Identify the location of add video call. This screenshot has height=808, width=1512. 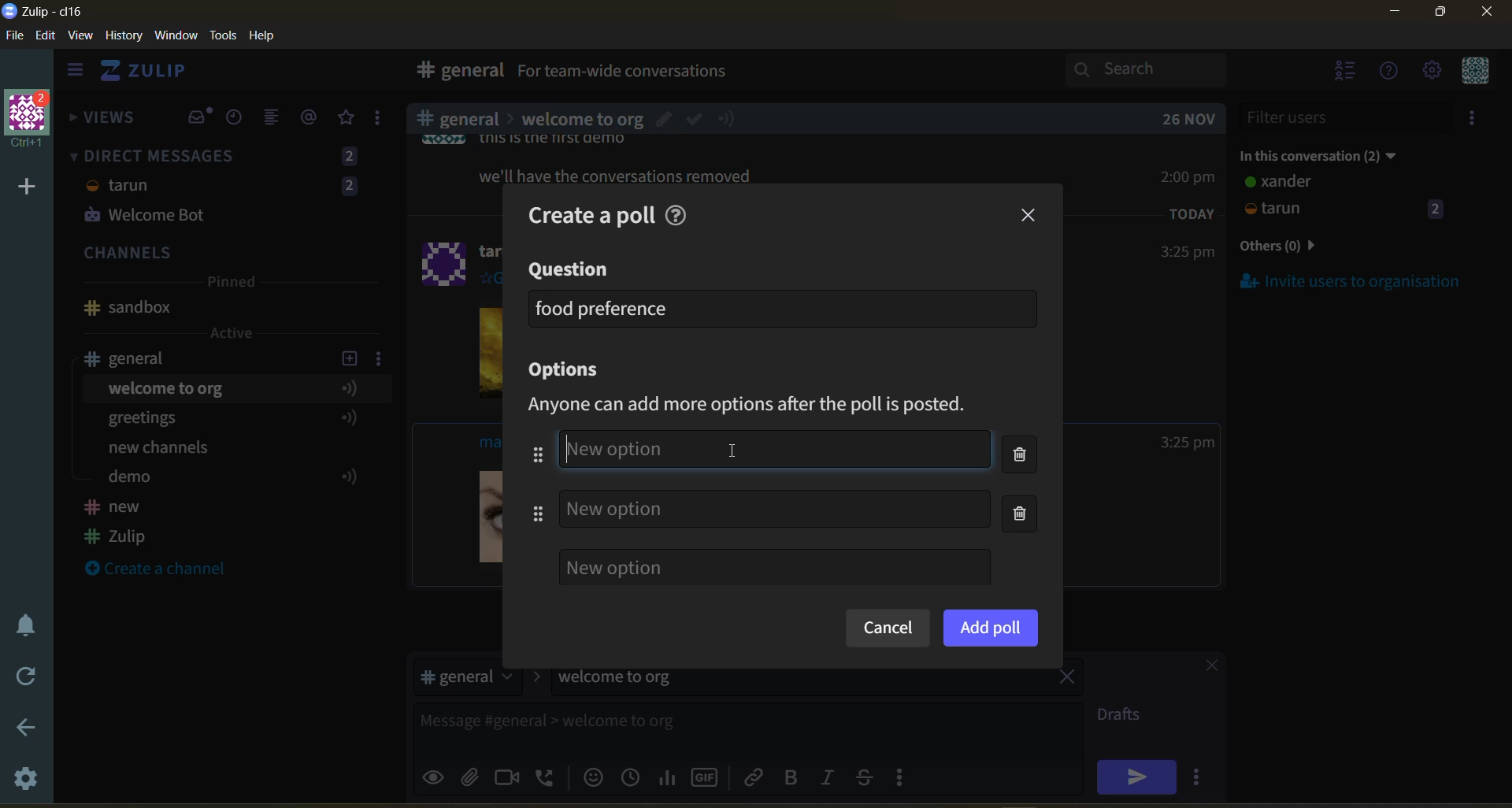
(508, 776).